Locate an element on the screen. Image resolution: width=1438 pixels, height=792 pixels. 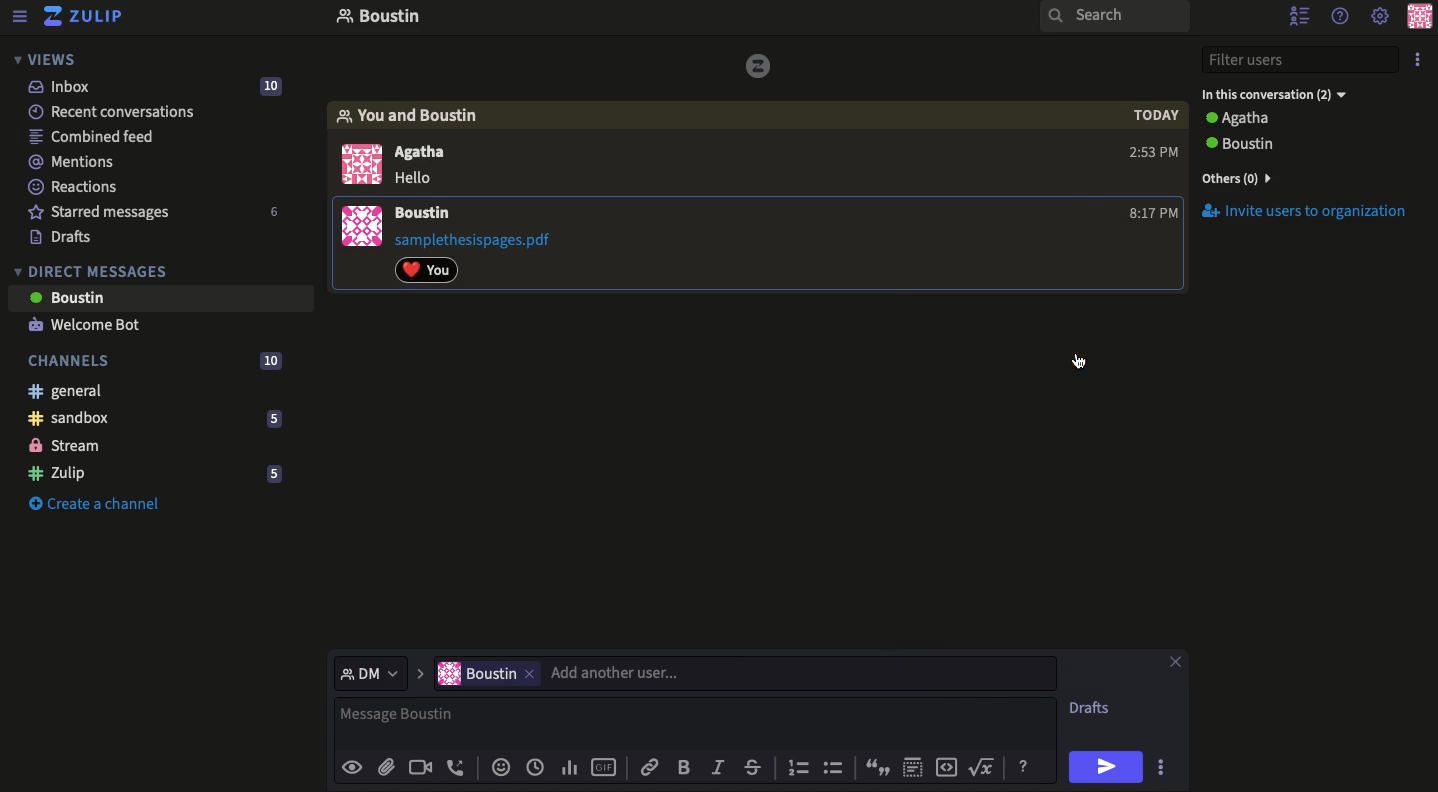
Attachment is located at coordinates (385, 766).